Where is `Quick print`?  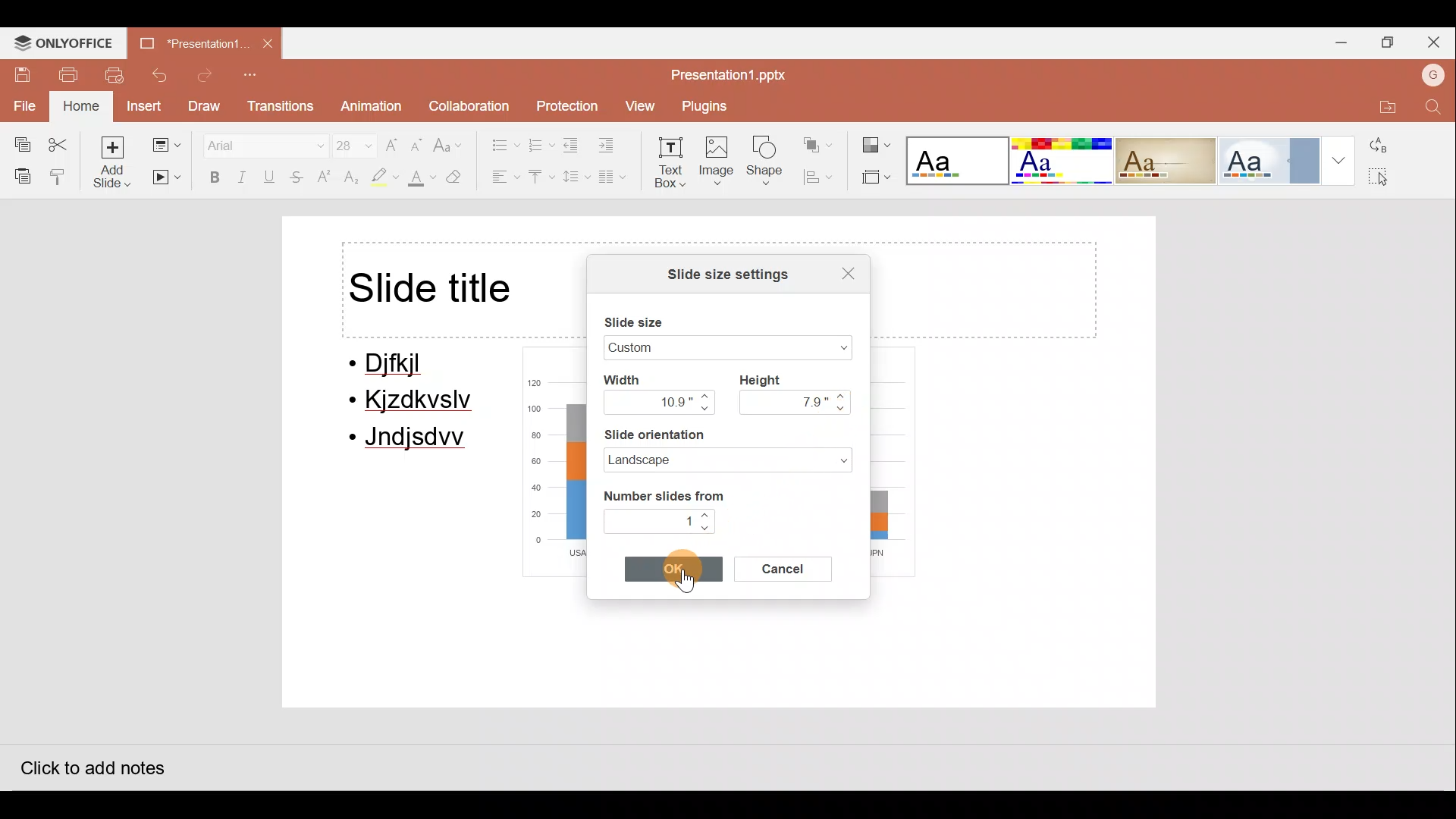 Quick print is located at coordinates (118, 76).